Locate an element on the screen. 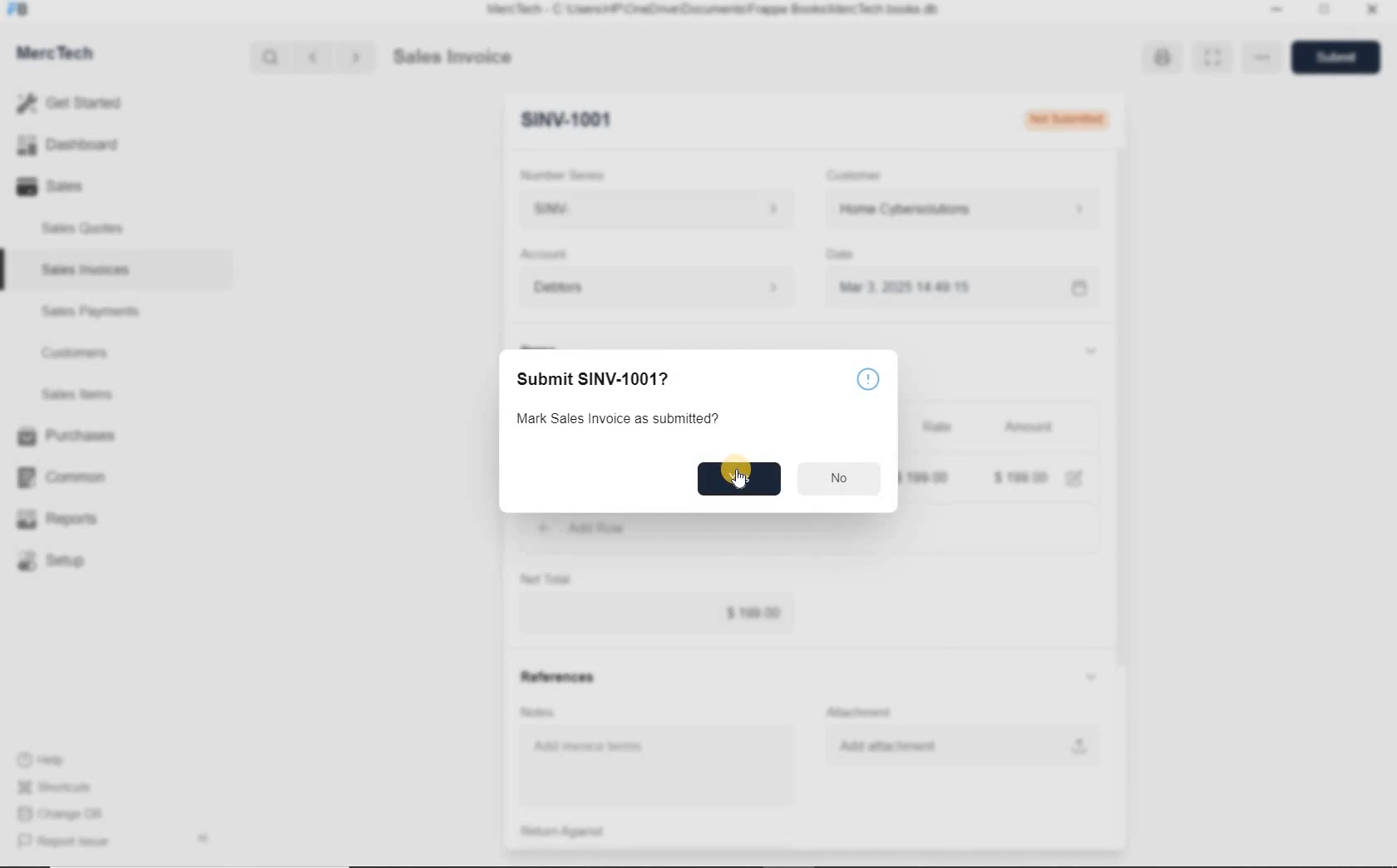 The image size is (1397, 868). Dashboard is located at coordinates (76, 145).